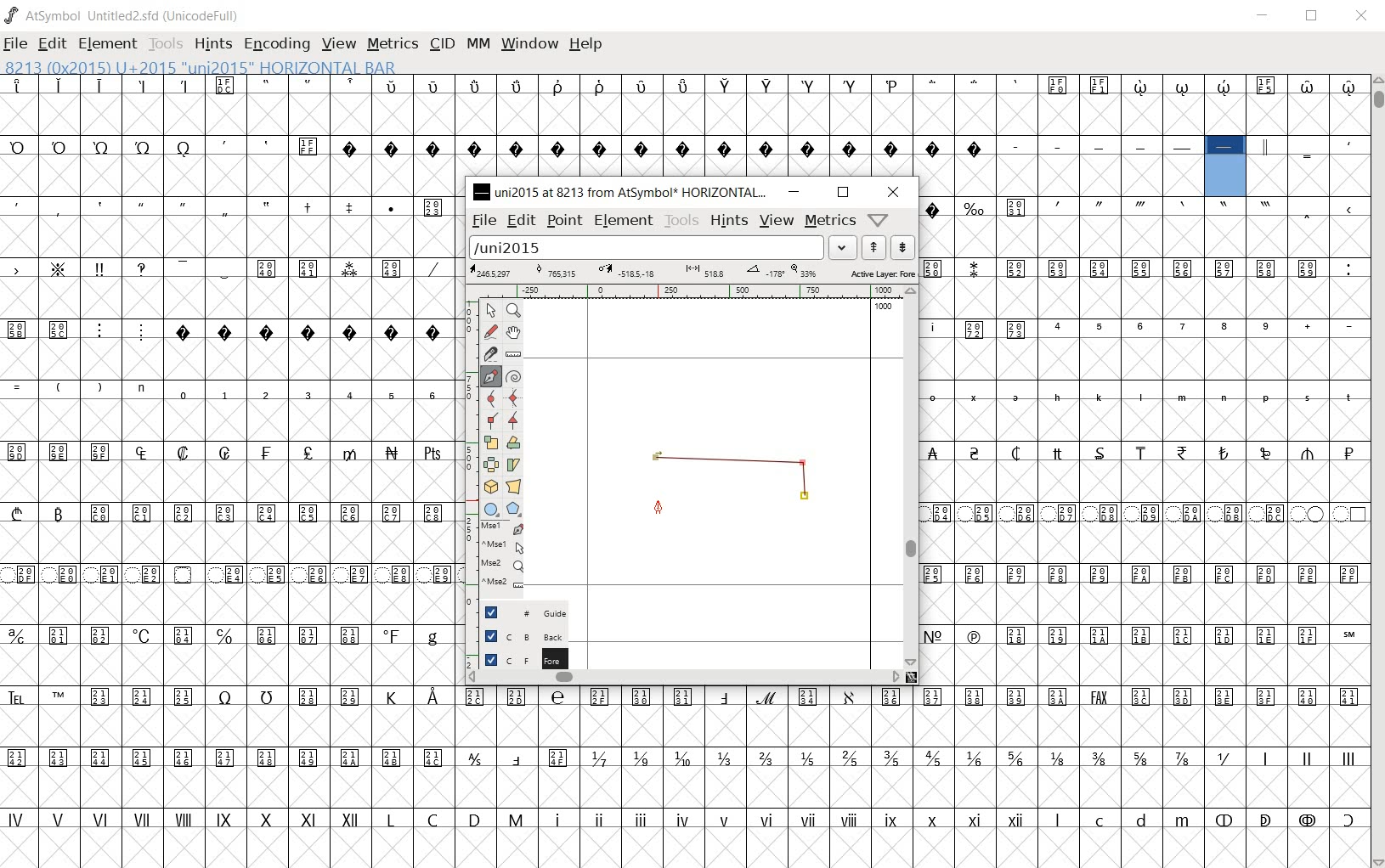  What do you see at coordinates (531, 43) in the screenshot?
I see `WINDOW` at bounding box center [531, 43].